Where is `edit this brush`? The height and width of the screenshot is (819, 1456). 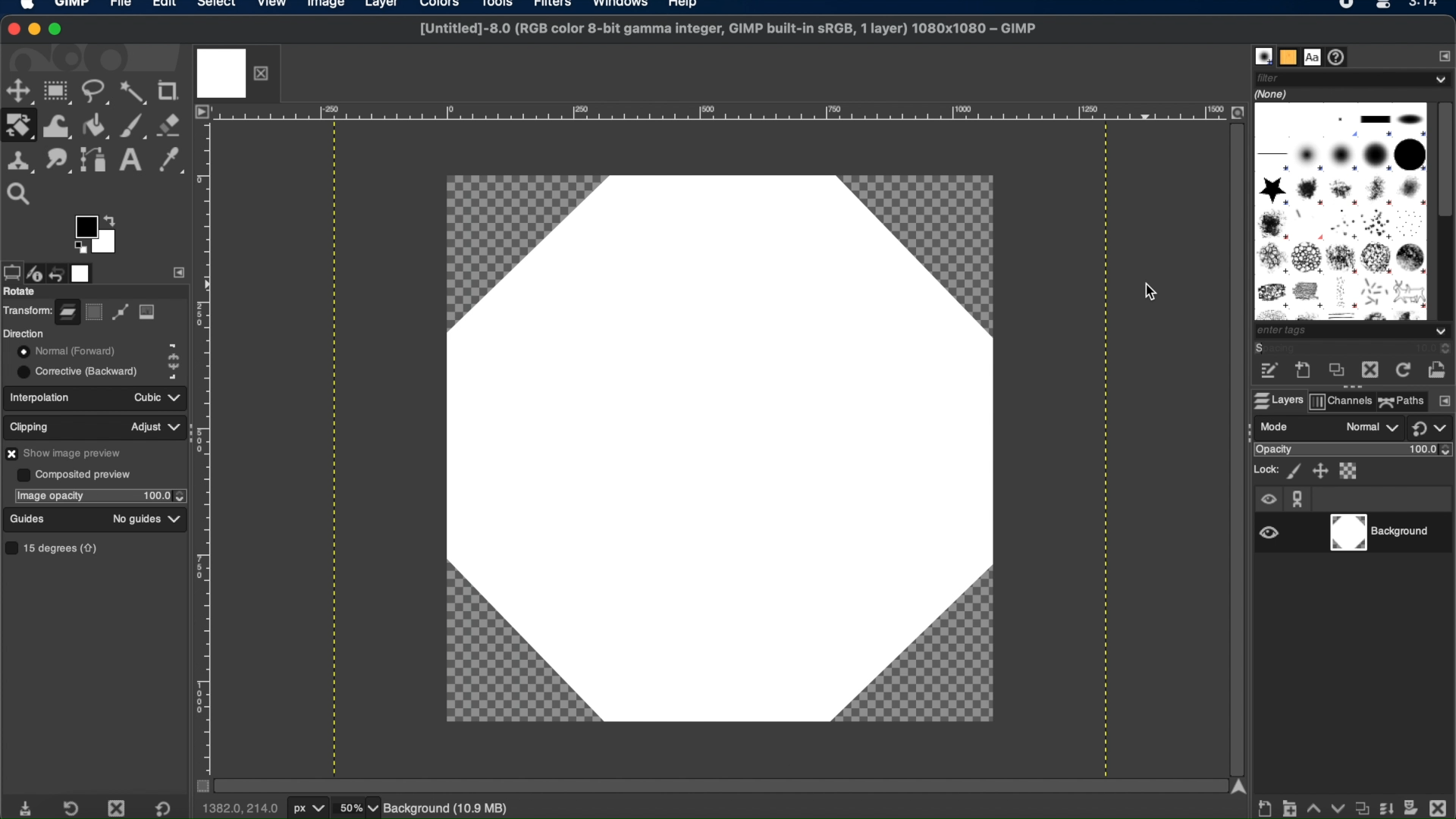
edit this brush is located at coordinates (1269, 372).